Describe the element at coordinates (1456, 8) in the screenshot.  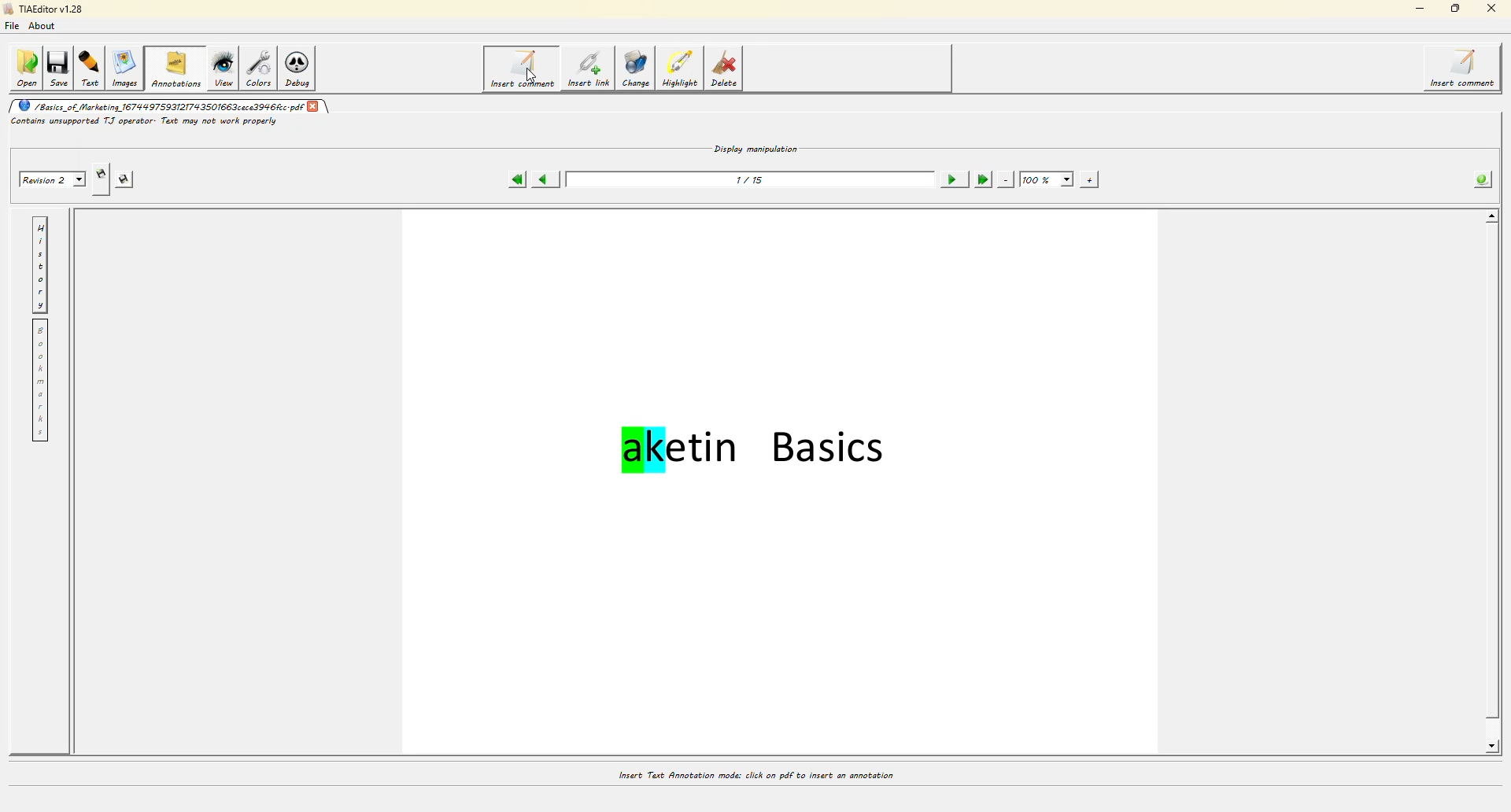
I see `maximize` at that location.